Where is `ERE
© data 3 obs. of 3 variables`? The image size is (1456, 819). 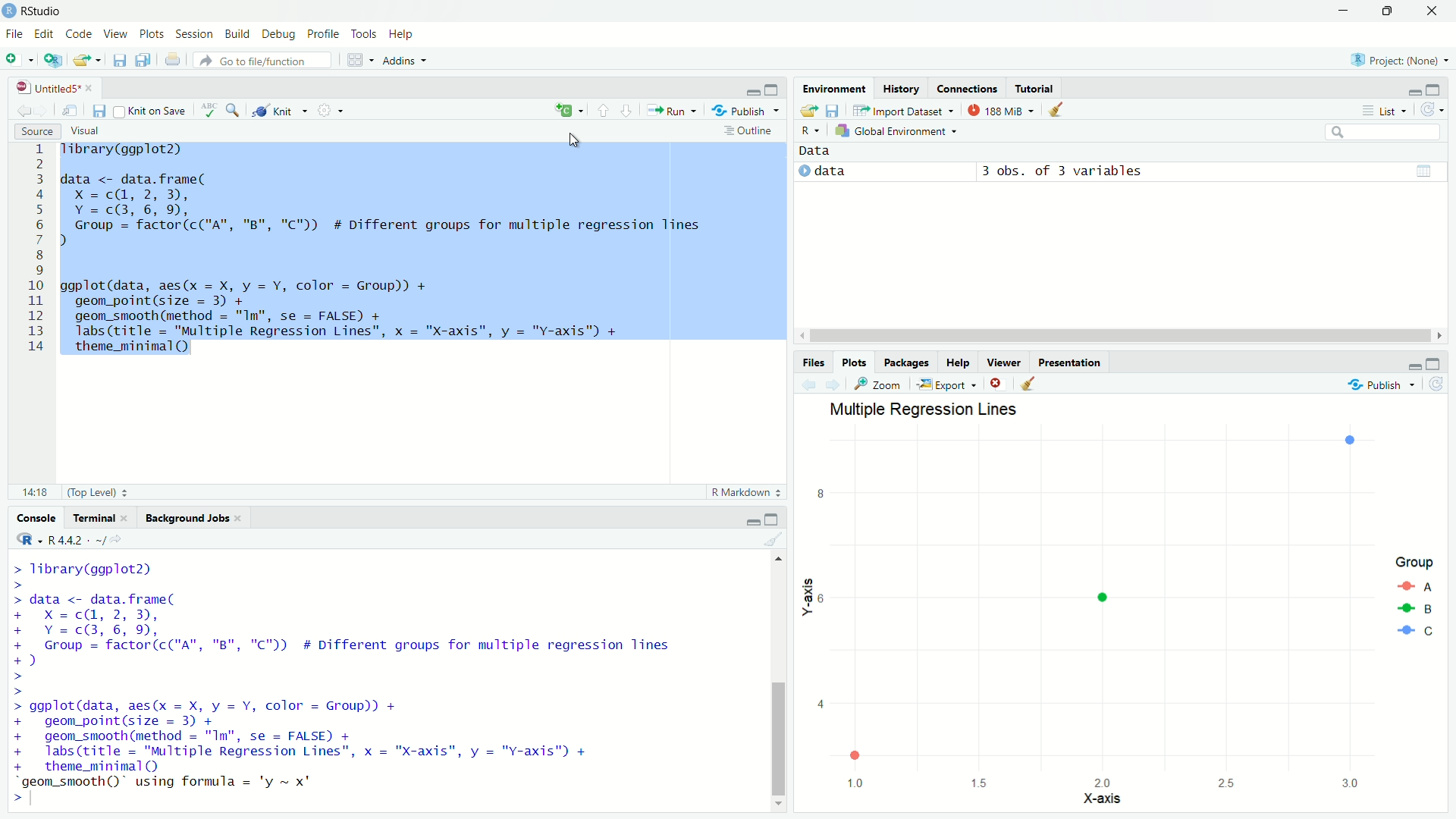
ERE
© data 3 obs. of 3 variables is located at coordinates (985, 165).